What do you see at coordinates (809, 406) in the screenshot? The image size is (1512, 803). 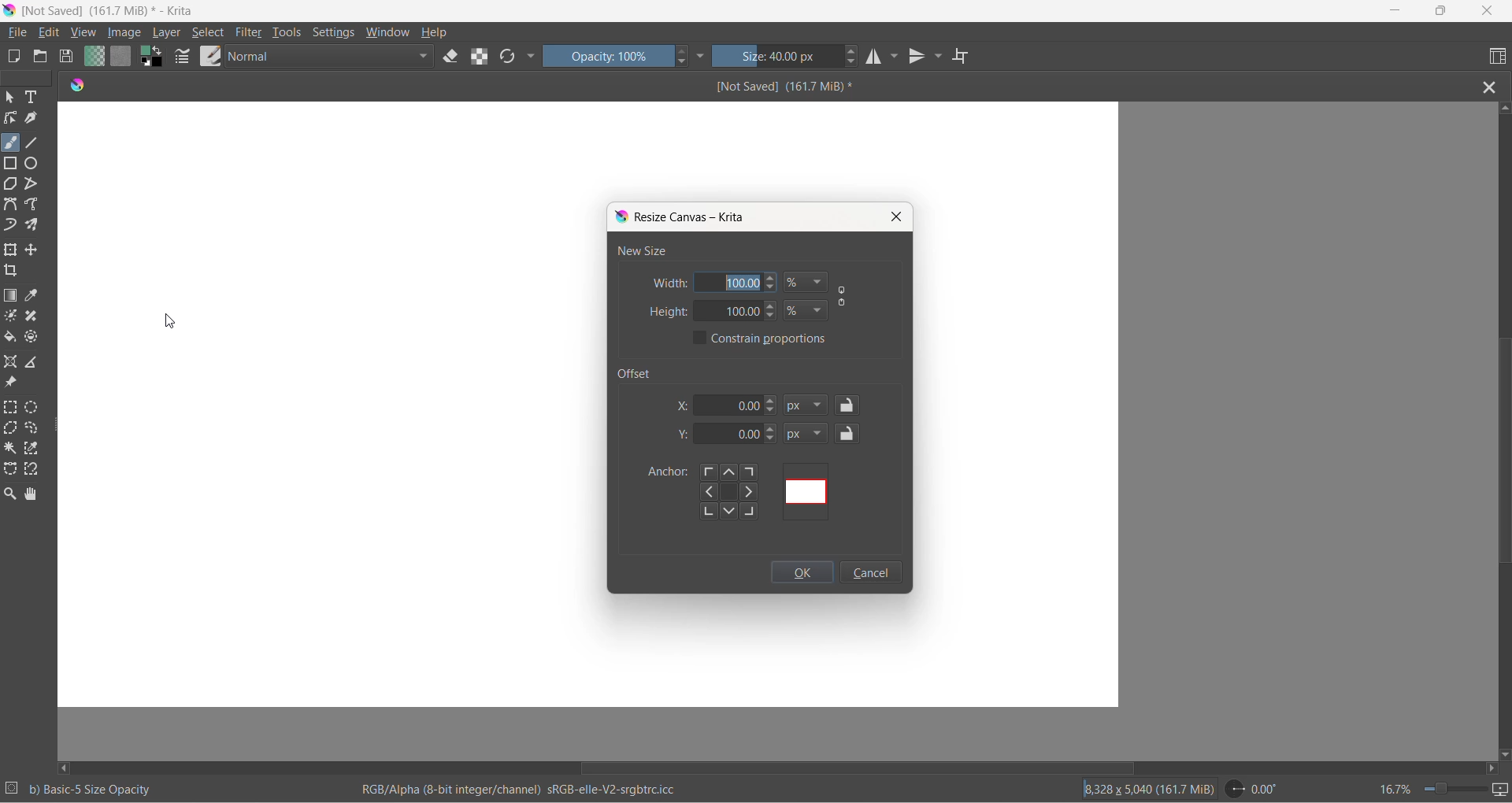 I see `x-axis value type` at bounding box center [809, 406].